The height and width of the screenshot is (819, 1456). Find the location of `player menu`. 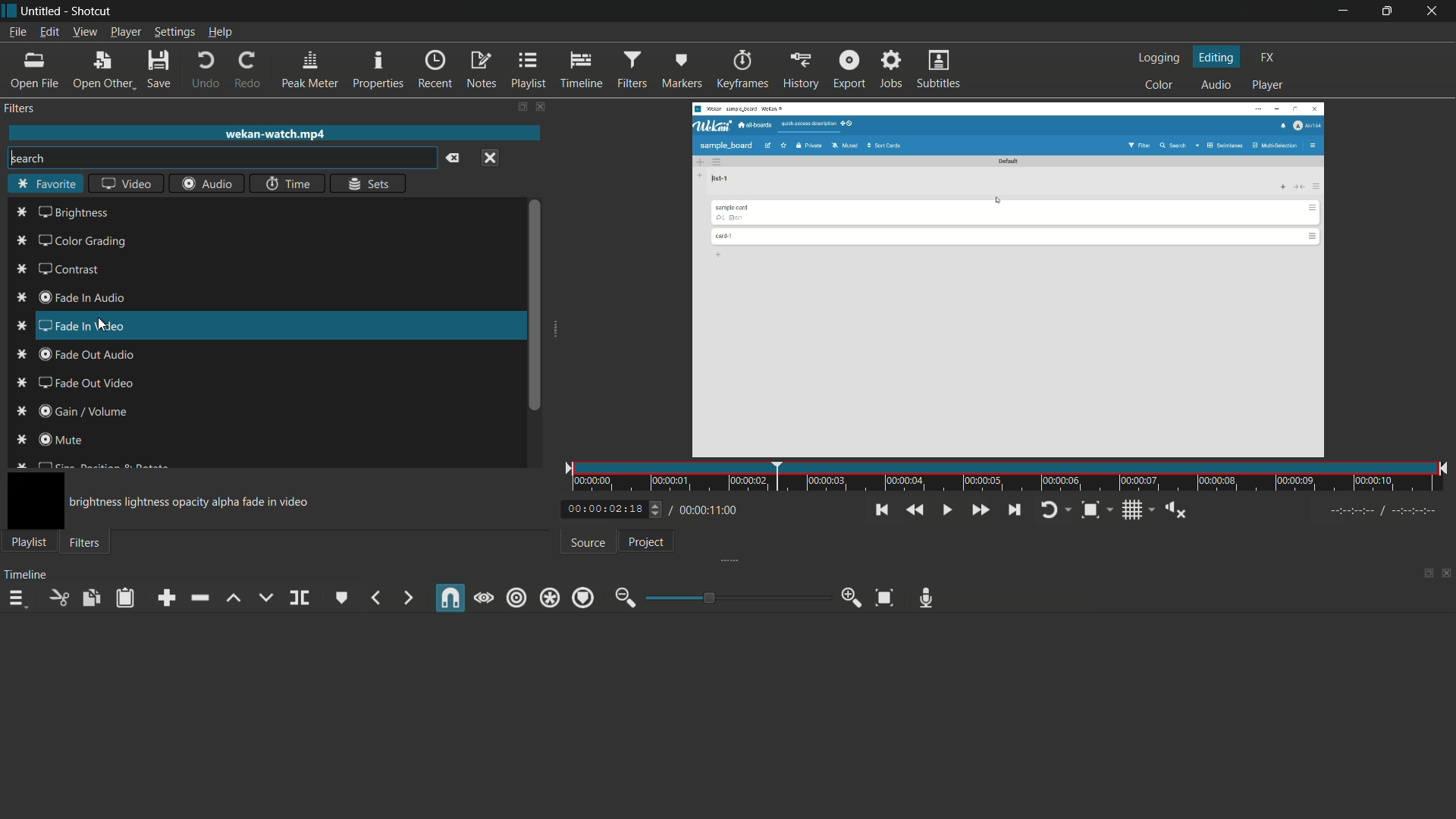

player menu is located at coordinates (127, 32).